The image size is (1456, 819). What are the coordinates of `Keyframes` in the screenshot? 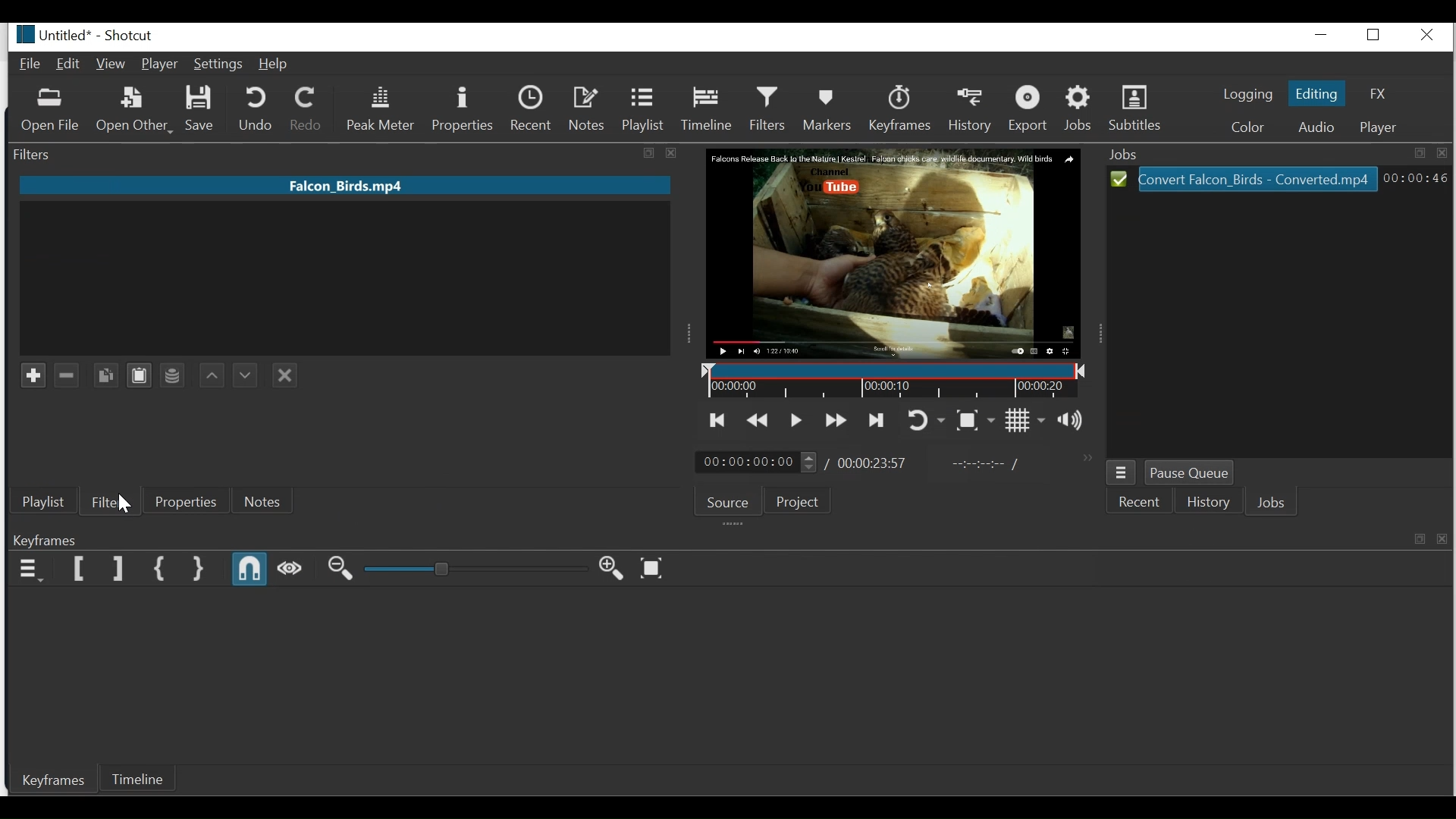 It's located at (730, 541).